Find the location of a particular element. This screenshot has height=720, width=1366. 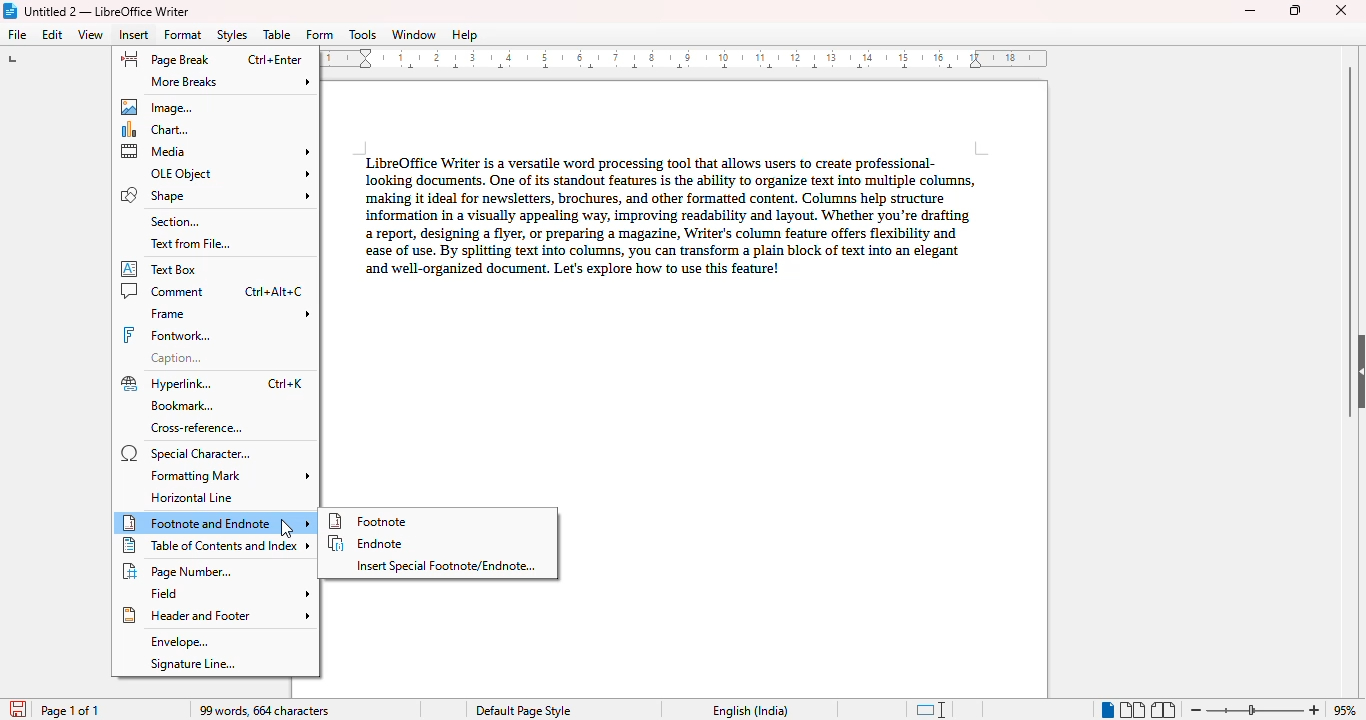

view is located at coordinates (92, 35).